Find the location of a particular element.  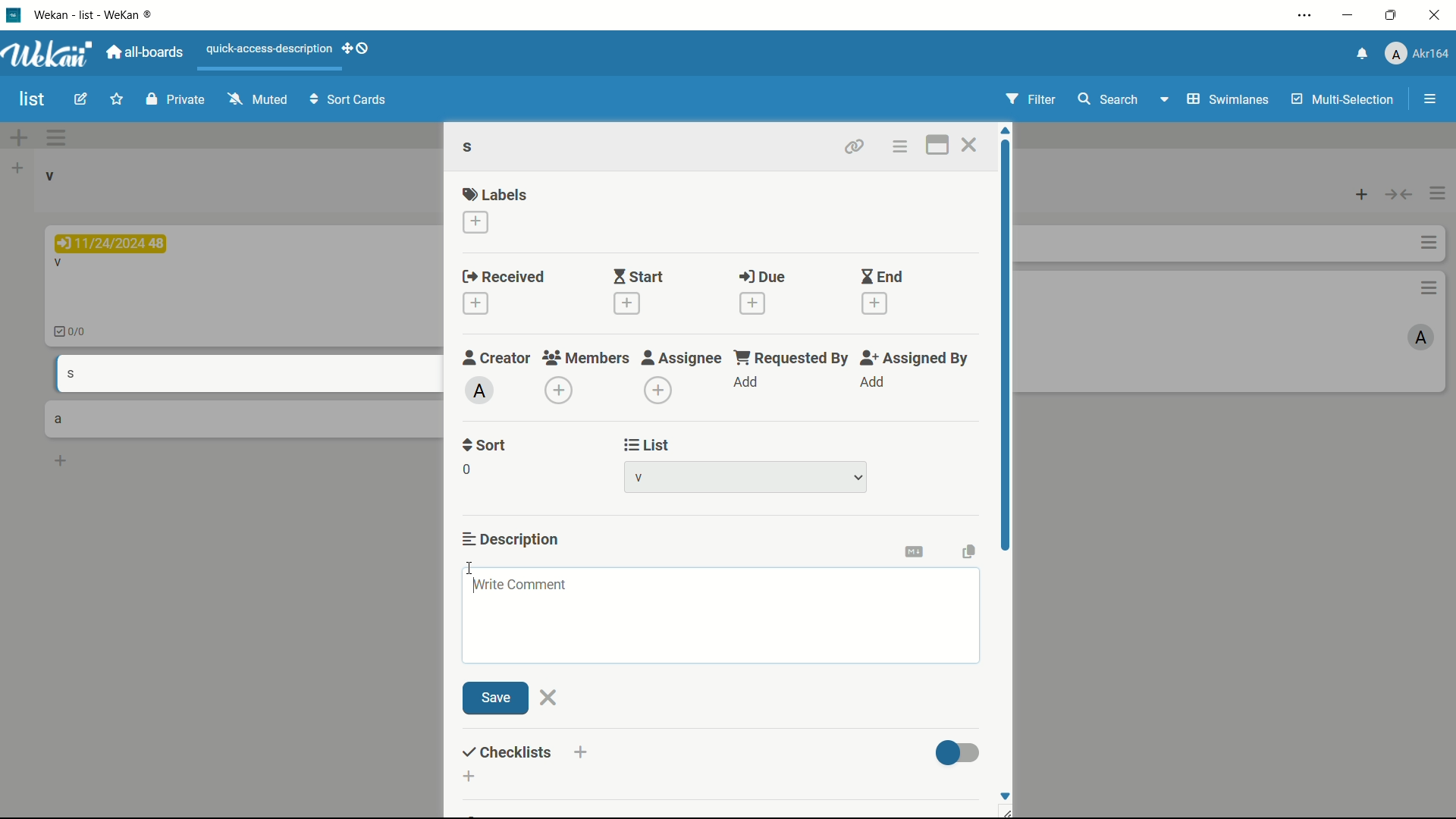

close app is located at coordinates (1437, 17).